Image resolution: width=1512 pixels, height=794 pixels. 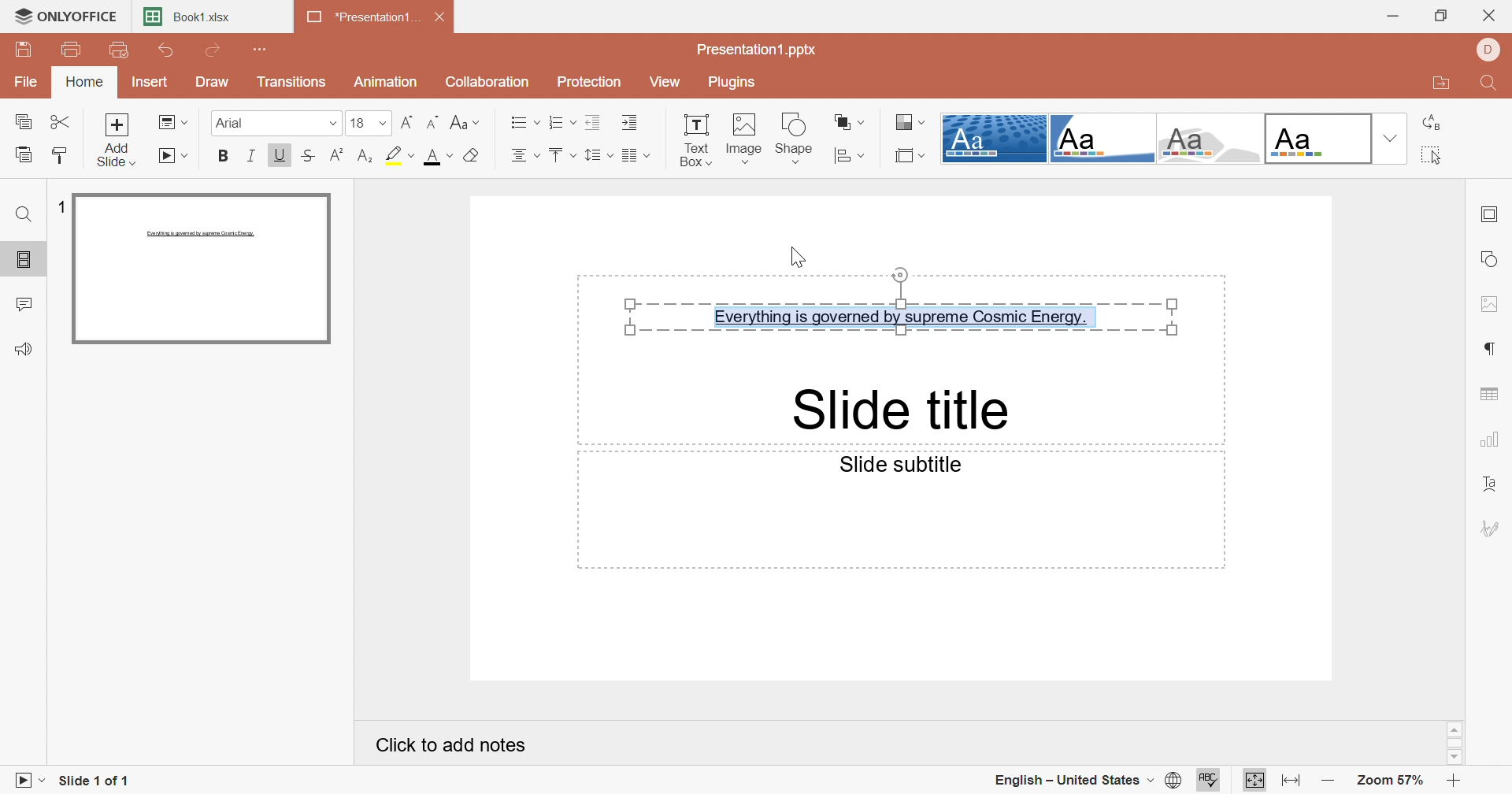 What do you see at coordinates (591, 119) in the screenshot?
I see `Decrease Indent` at bounding box center [591, 119].